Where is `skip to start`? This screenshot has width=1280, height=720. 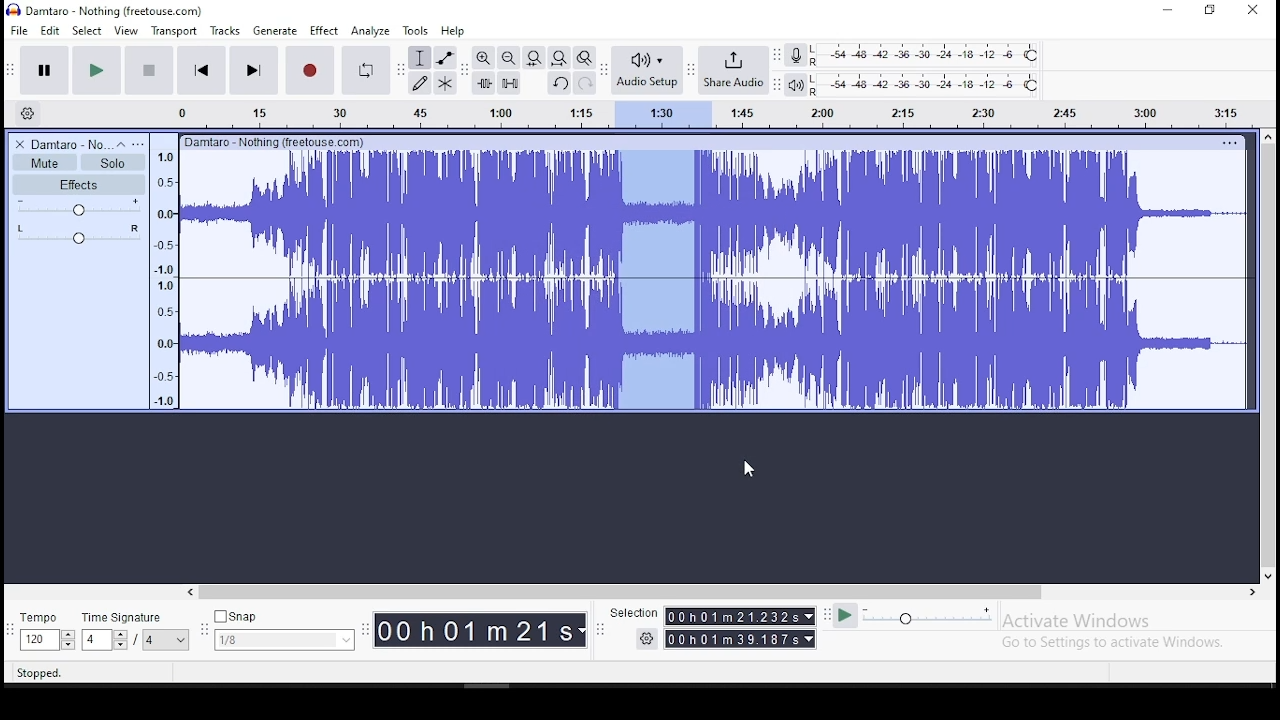
skip to start is located at coordinates (202, 69).